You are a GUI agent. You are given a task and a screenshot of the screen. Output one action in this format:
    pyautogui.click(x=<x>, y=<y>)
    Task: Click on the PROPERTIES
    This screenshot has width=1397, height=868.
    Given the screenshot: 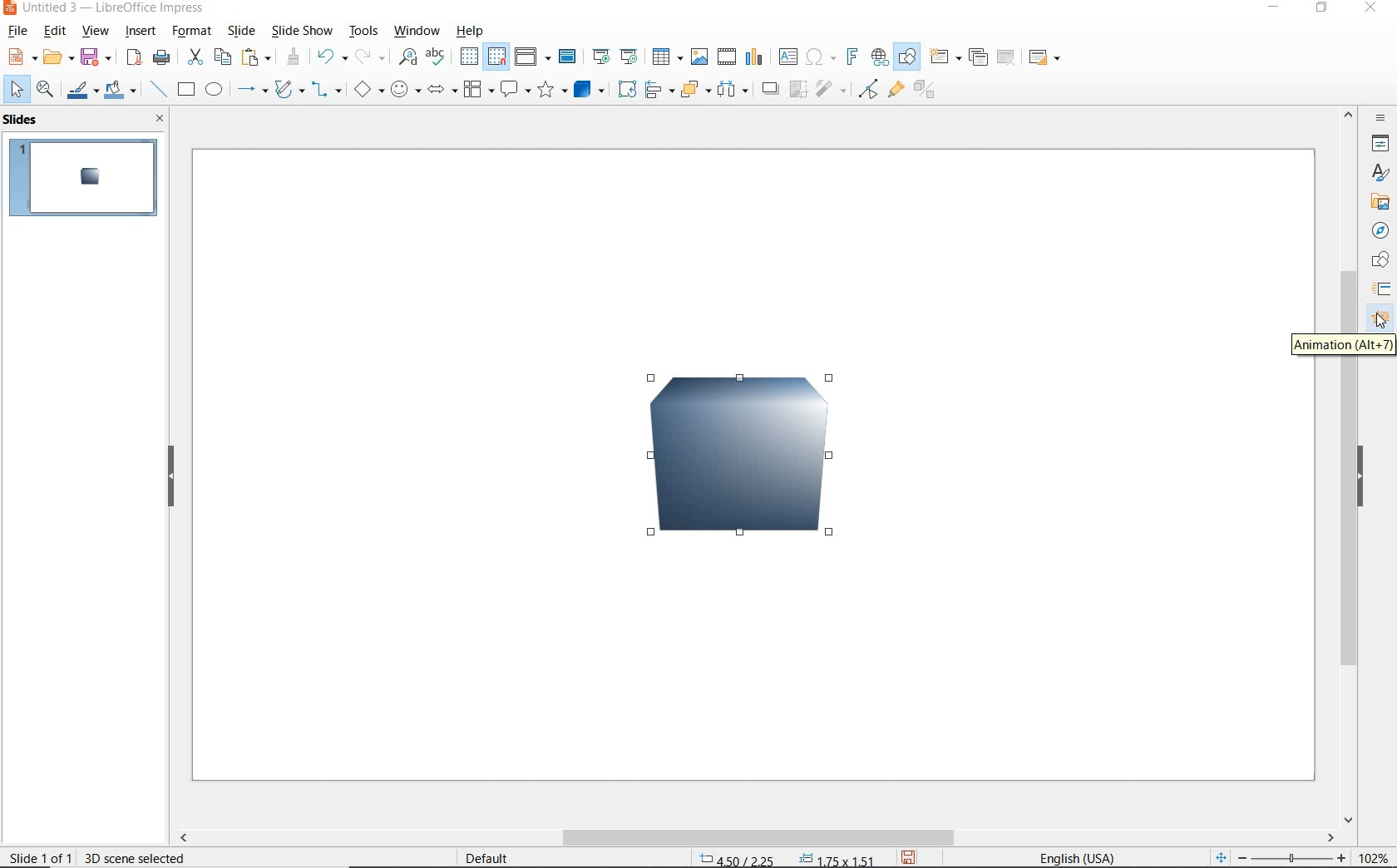 What is the action you would take?
    pyautogui.click(x=1380, y=145)
    